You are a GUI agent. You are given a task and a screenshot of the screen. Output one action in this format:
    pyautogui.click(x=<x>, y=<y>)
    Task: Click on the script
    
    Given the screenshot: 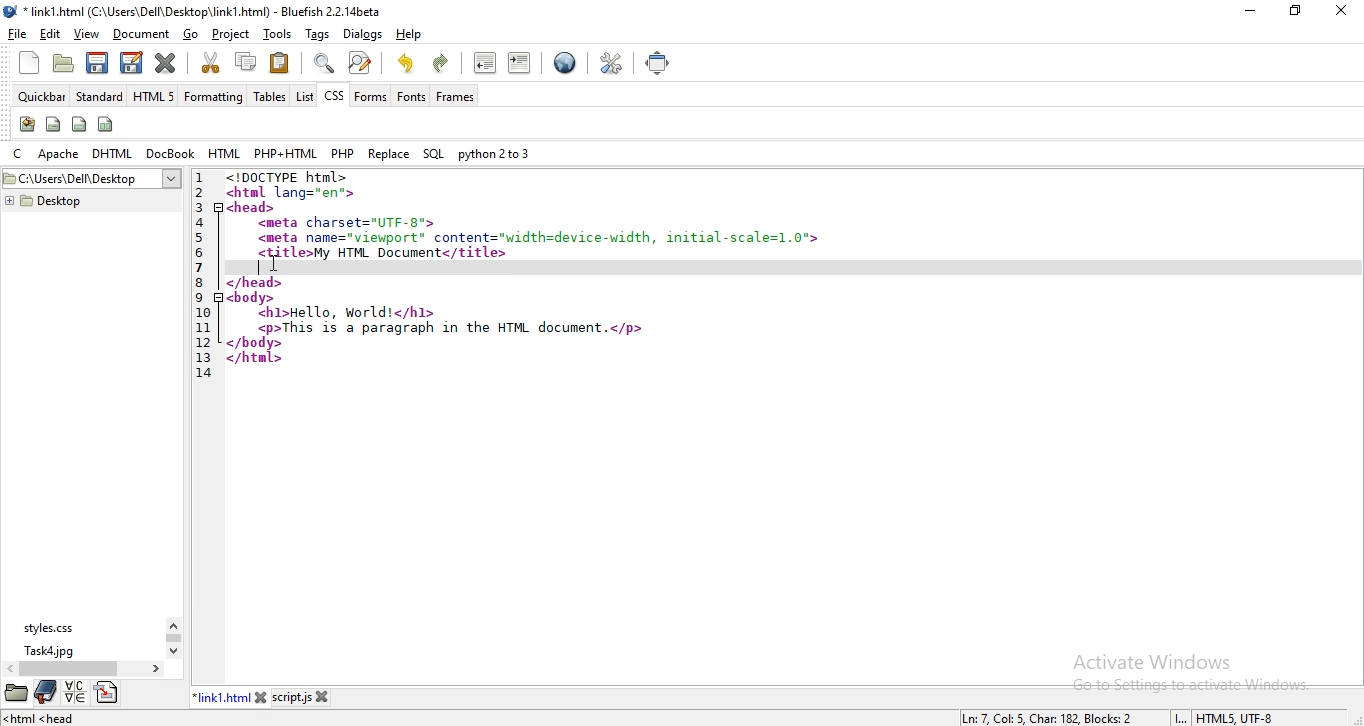 What is the action you would take?
    pyautogui.click(x=292, y=697)
    